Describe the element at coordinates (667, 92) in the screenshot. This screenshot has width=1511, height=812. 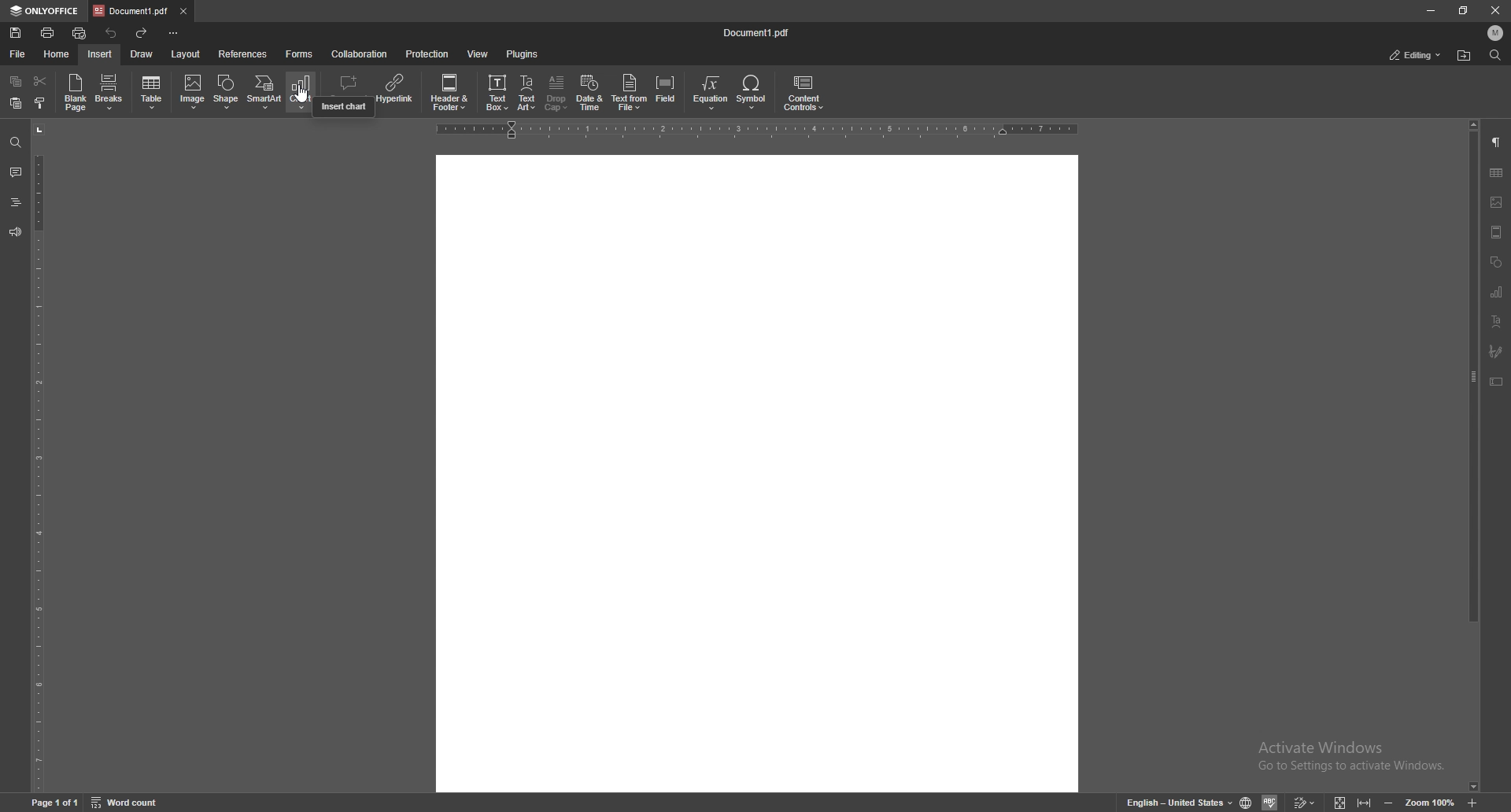
I see `field` at that location.